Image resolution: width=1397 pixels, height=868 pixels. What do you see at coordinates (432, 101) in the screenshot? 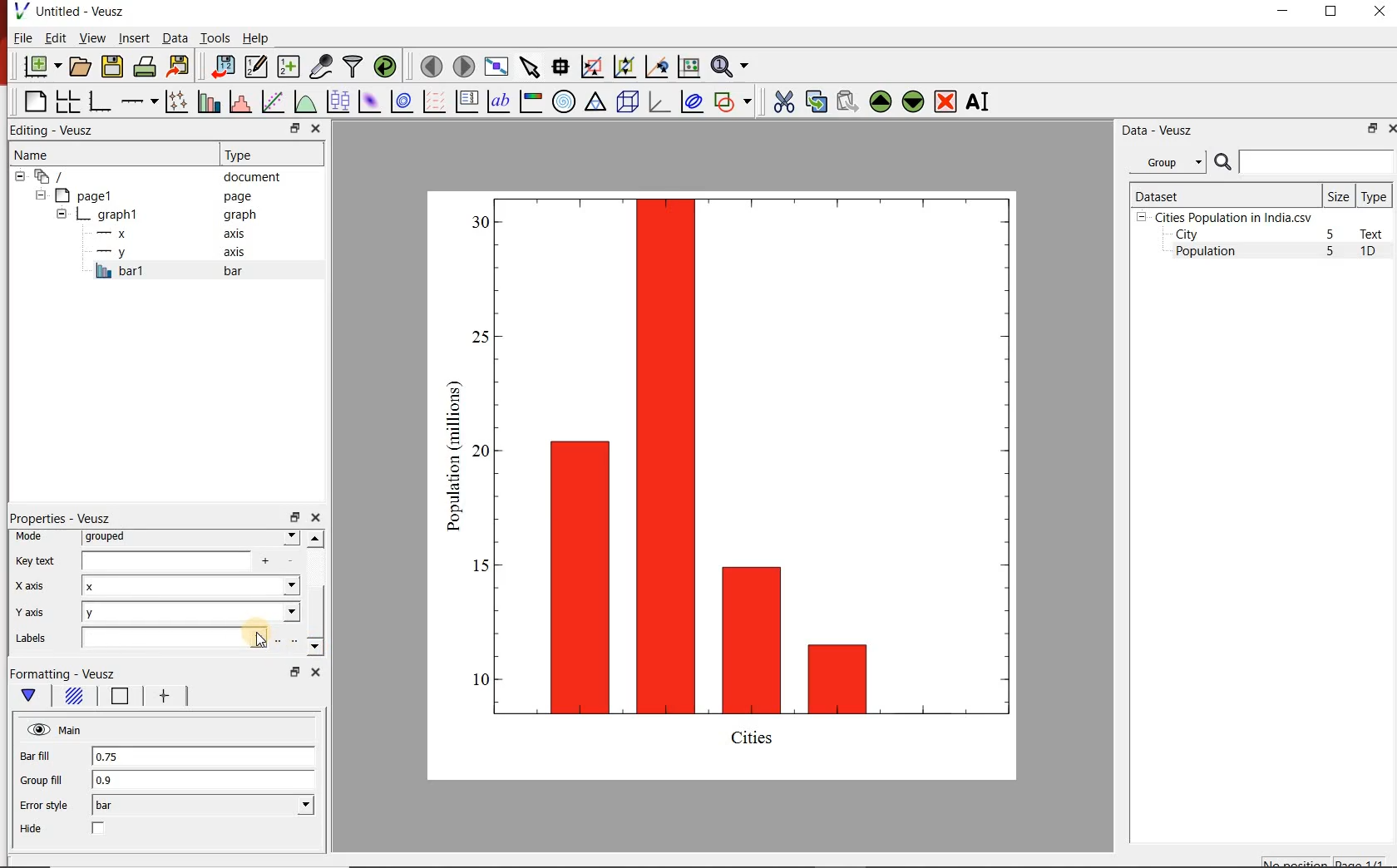
I see `plot a vector field` at bounding box center [432, 101].